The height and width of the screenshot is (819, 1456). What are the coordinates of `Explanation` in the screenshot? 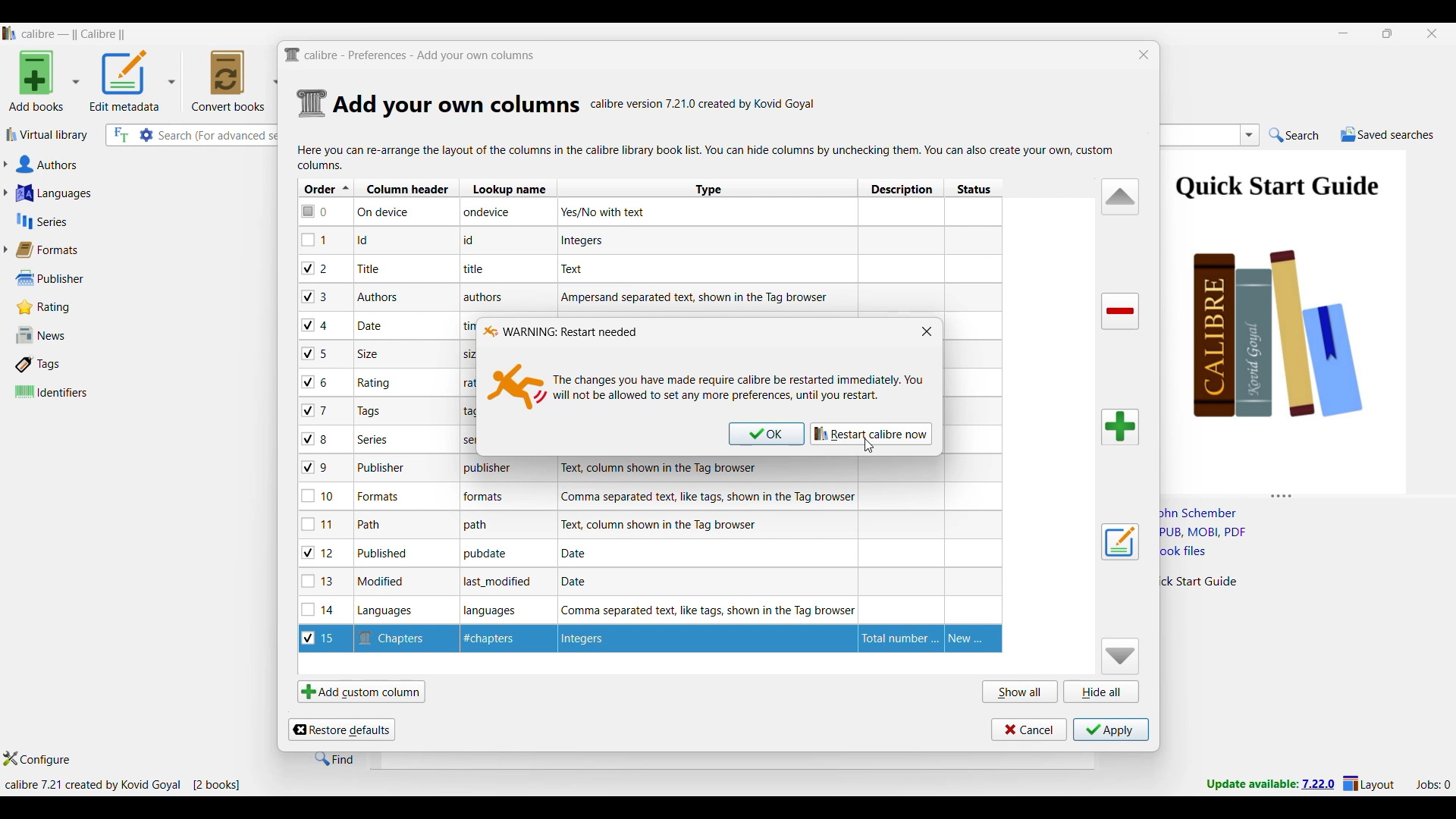 It's located at (582, 552).